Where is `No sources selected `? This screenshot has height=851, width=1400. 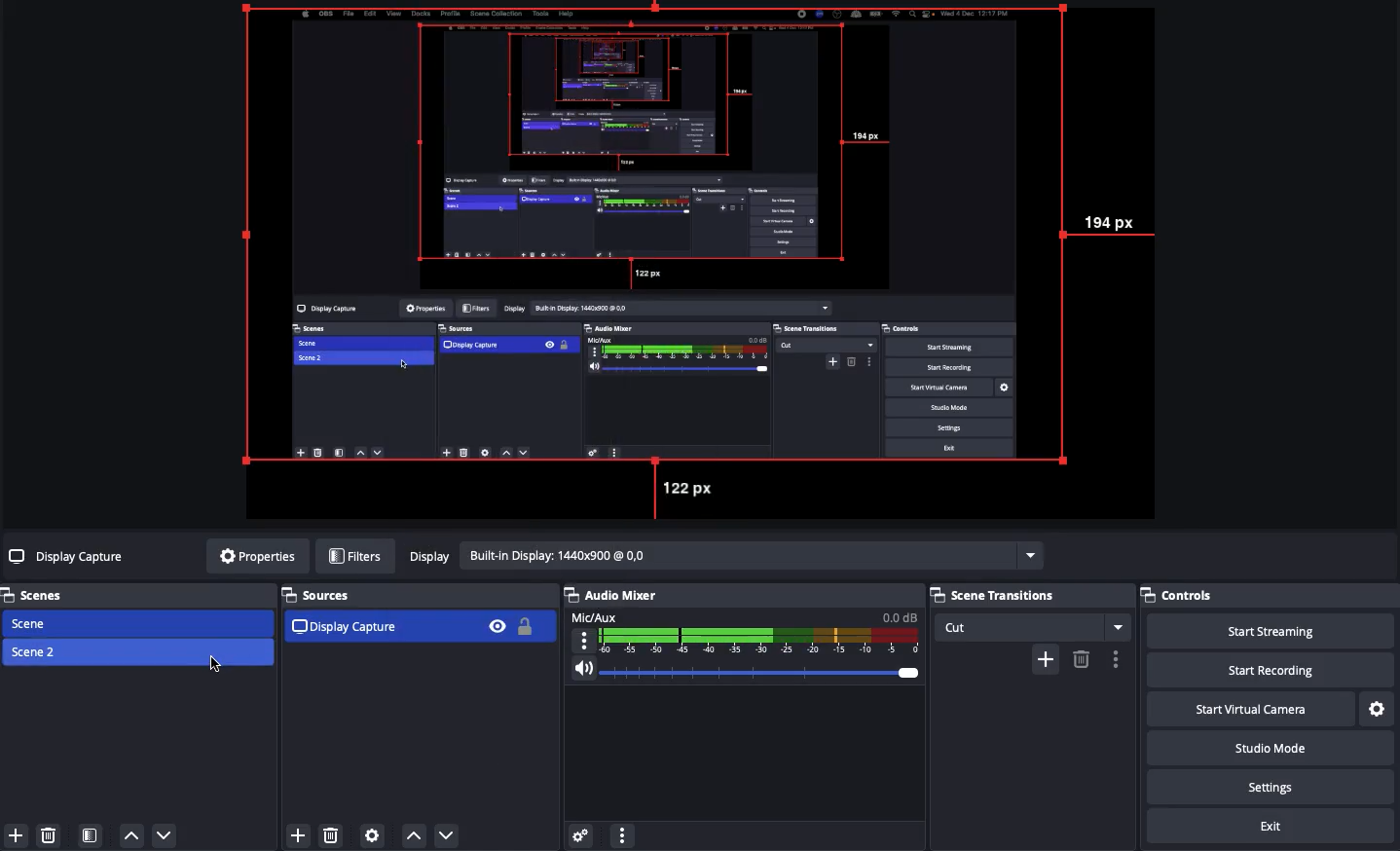
No sources selected  is located at coordinates (69, 558).